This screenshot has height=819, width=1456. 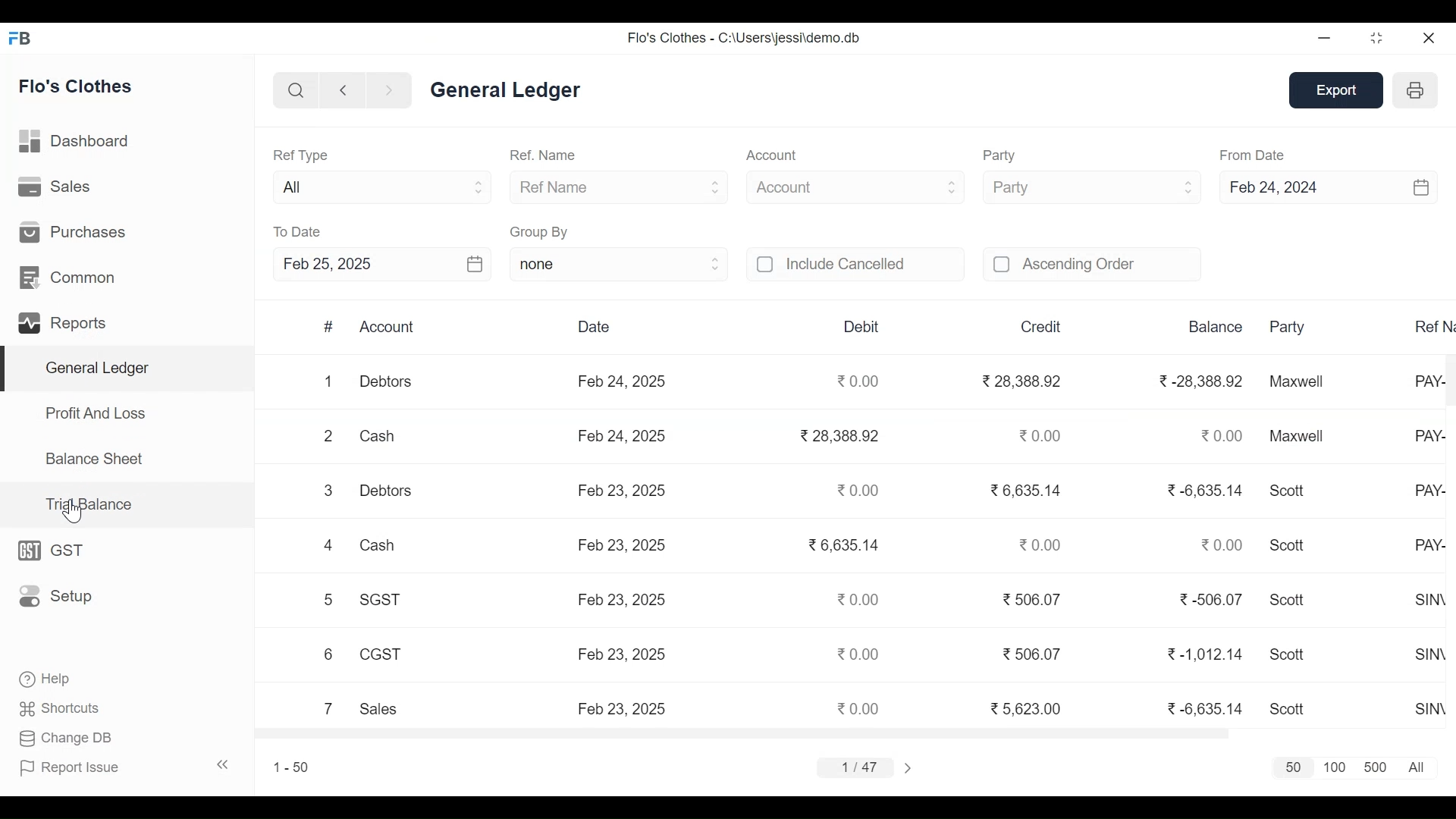 What do you see at coordinates (775, 155) in the screenshot?
I see `Account` at bounding box center [775, 155].